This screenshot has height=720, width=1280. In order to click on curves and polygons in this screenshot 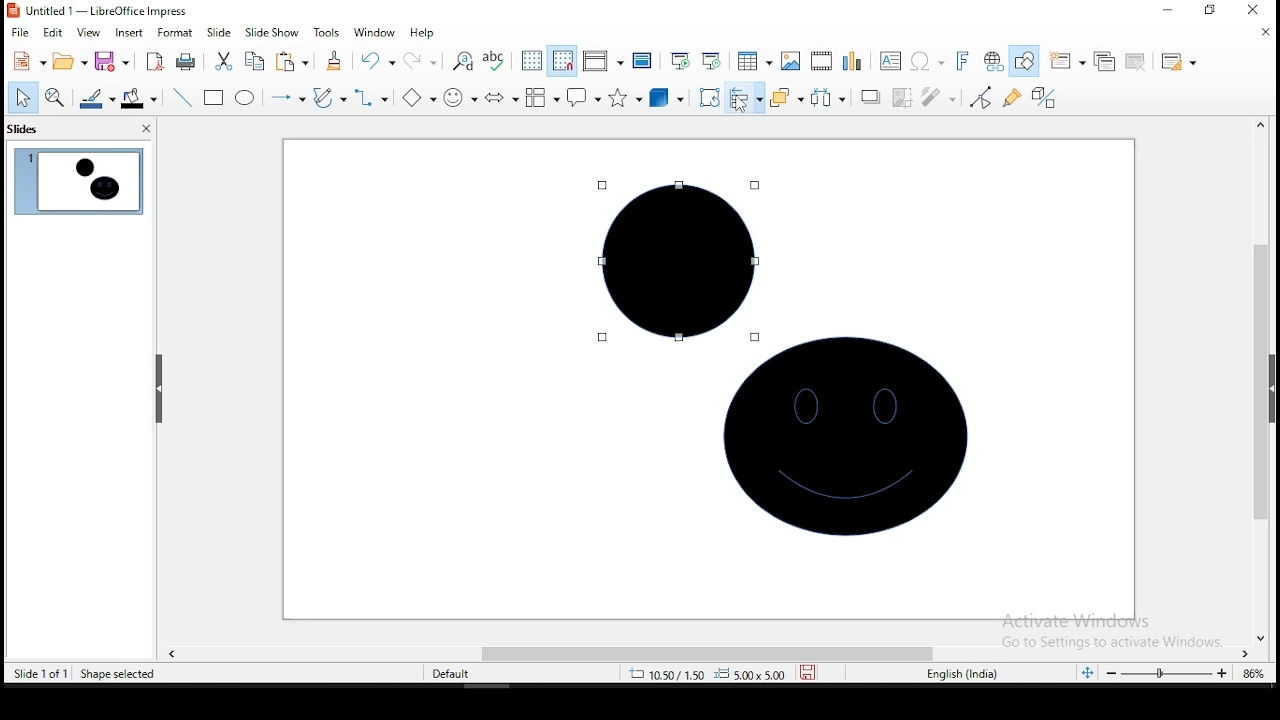, I will do `click(330, 96)`.